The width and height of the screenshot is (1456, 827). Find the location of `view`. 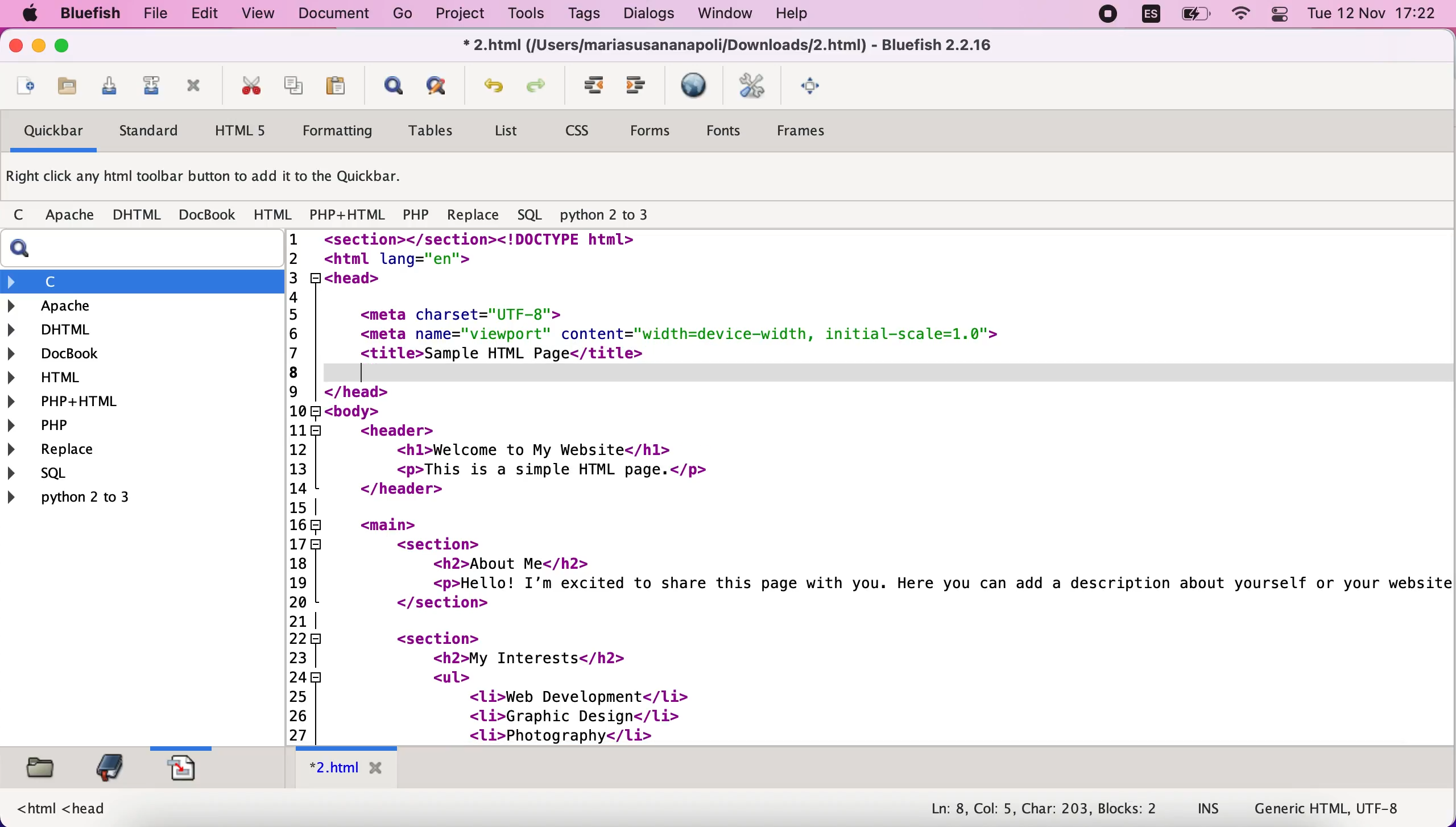

view is located at coordinates (258, 16).